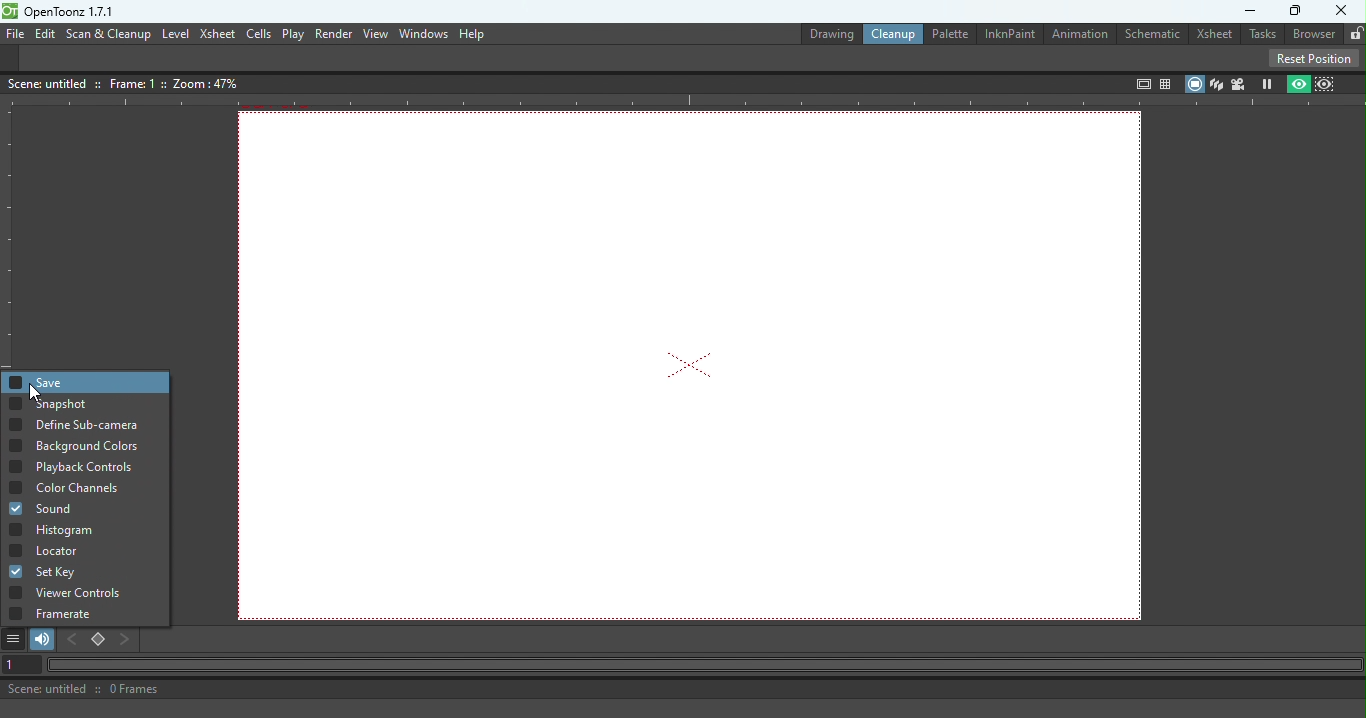  I want to click on Canvas details, so click(127, 82).